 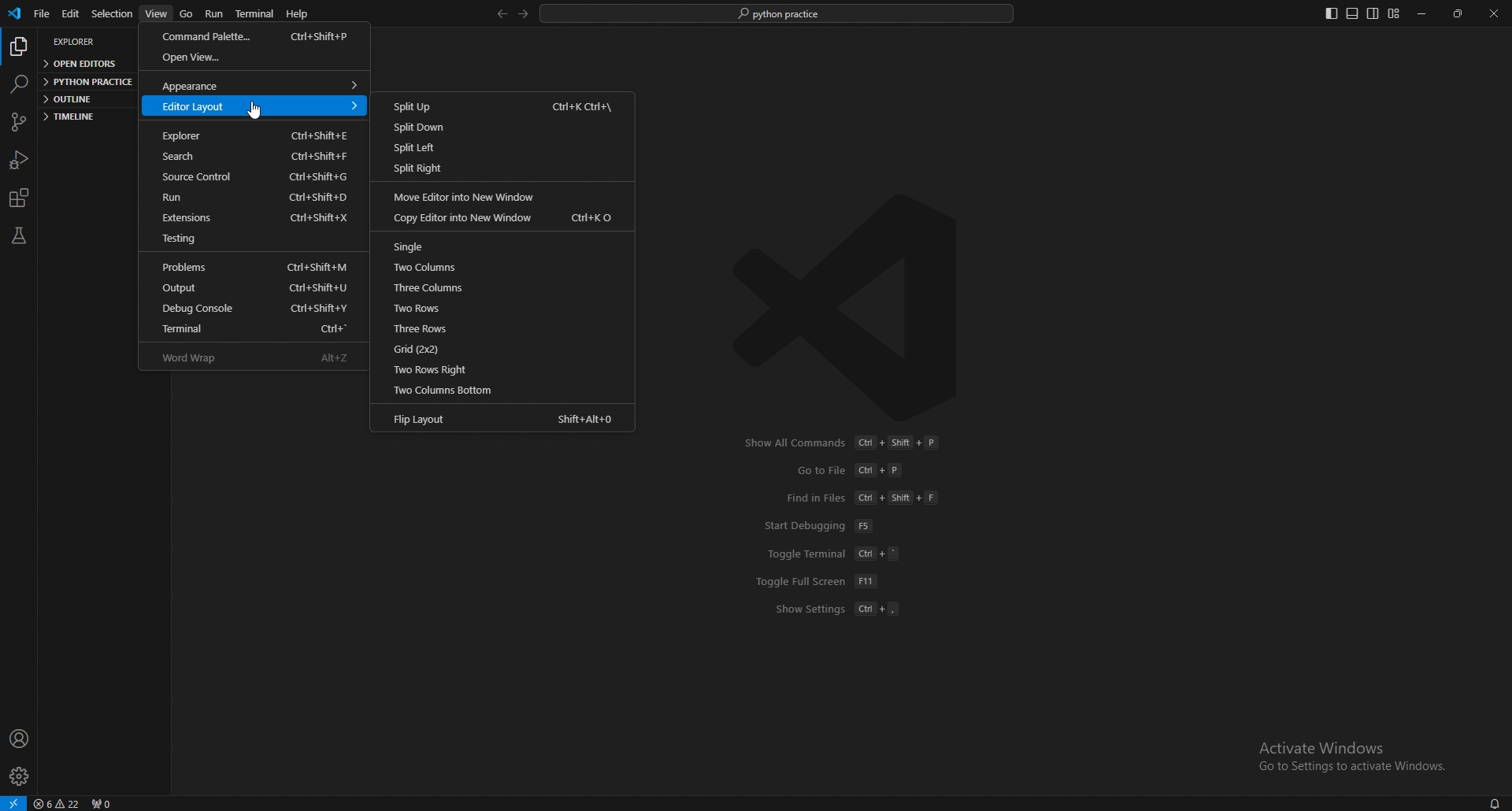 I want to click on toggle secondary sidebar, so click(x=1373, y=14).